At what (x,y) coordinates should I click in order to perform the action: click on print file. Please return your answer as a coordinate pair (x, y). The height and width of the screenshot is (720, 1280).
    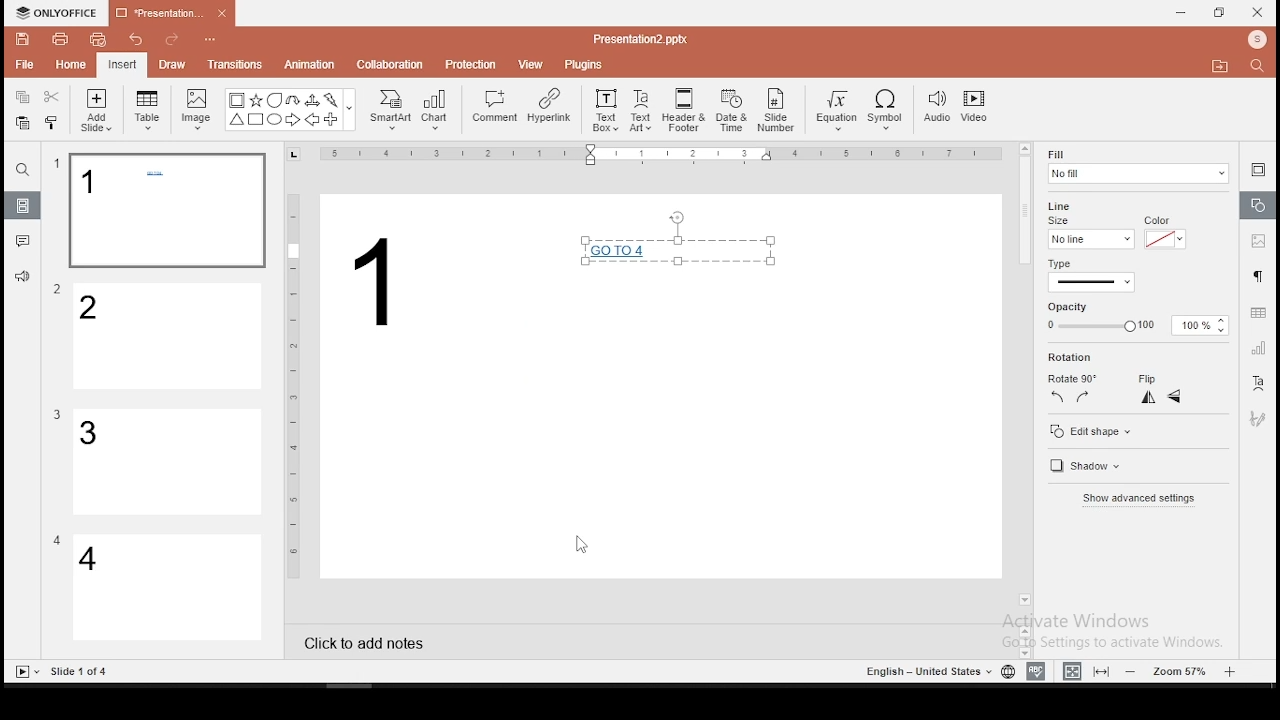
    Looking at the image, I should click on (60, 37).